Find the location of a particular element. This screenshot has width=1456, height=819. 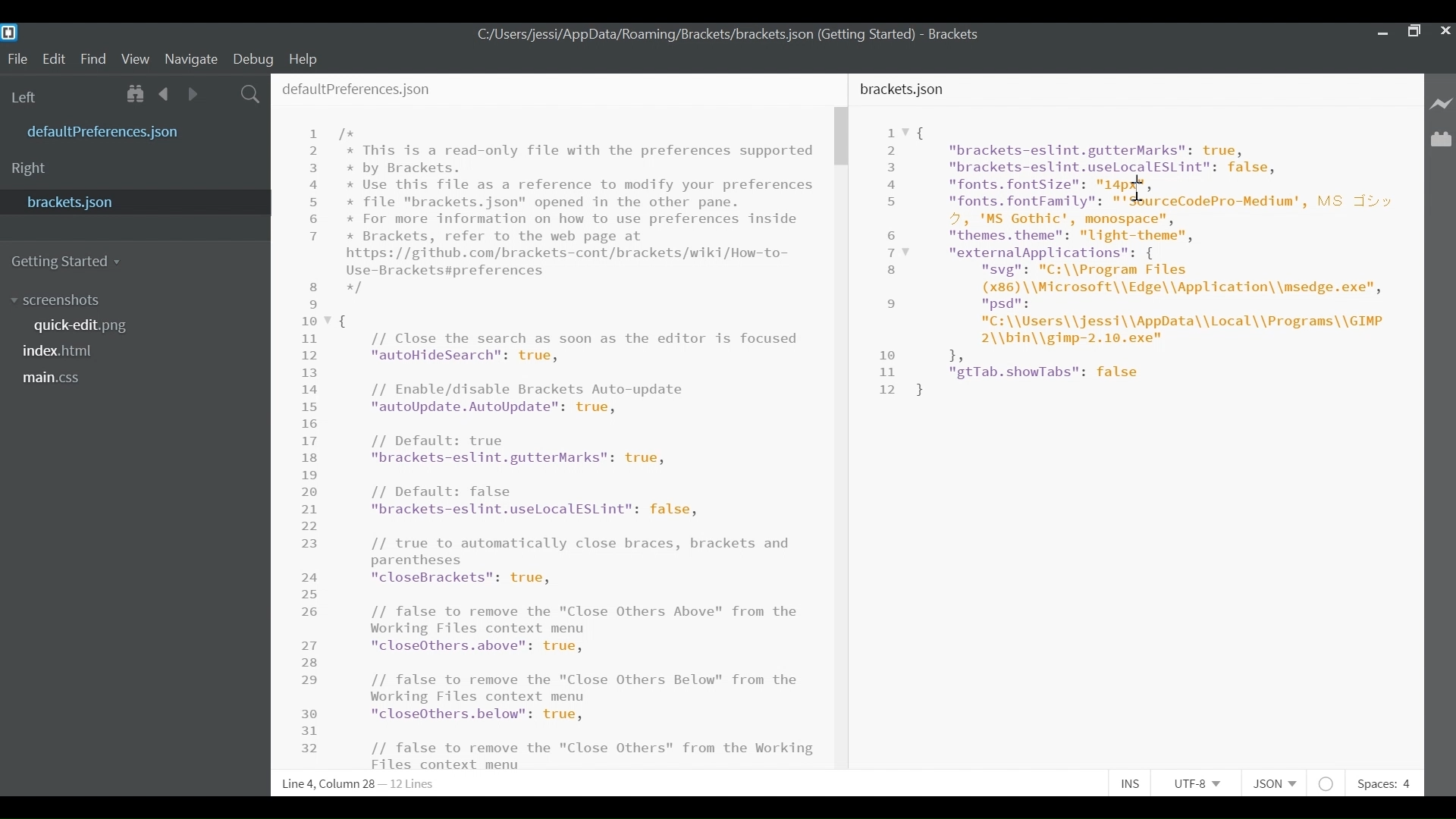

bracket.json File is located at coordinates (132, 201).